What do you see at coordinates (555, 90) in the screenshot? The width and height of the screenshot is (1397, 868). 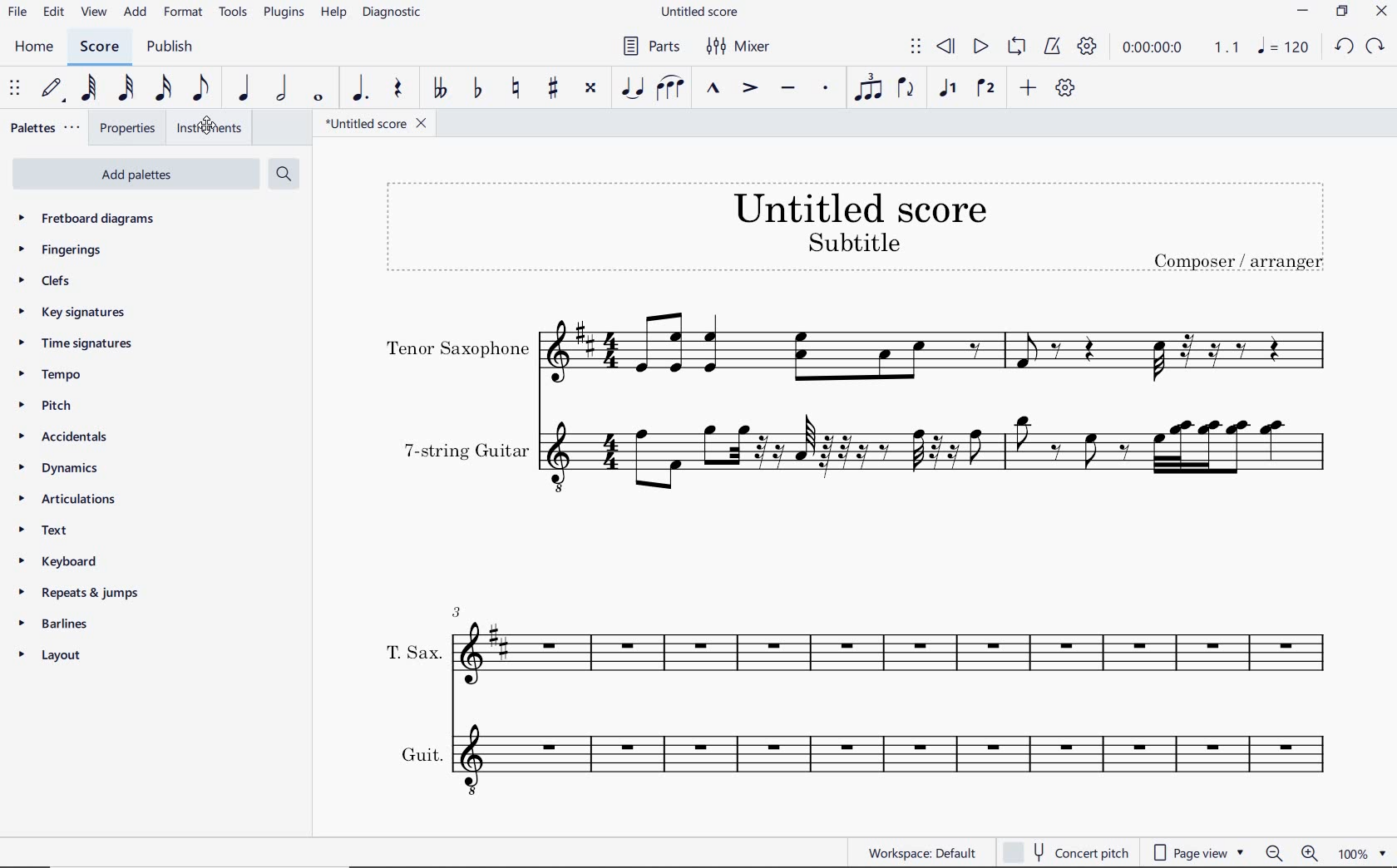 I see `TOGGLE SHARP` at bounding box center [555, 90].